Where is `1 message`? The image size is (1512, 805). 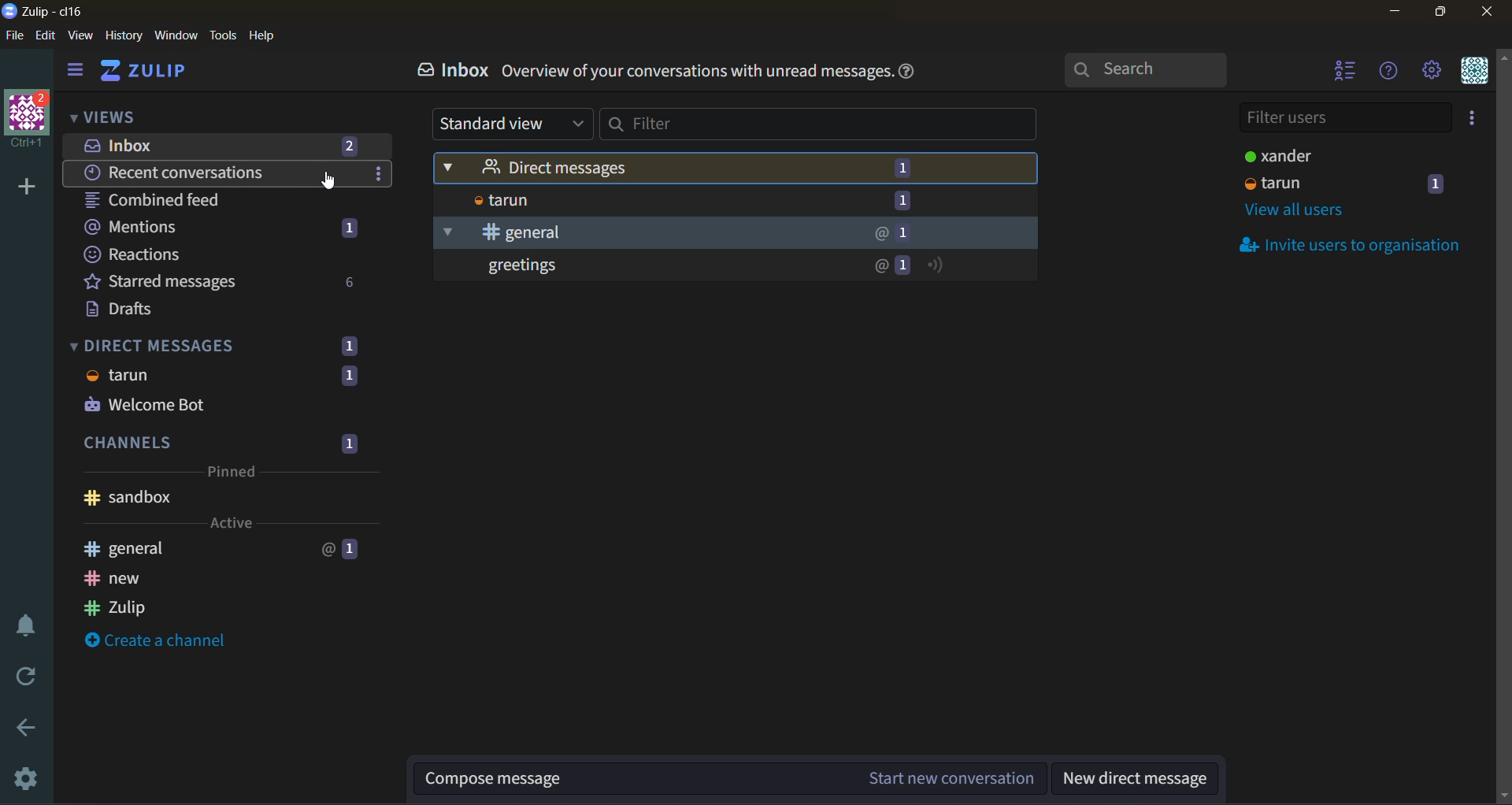
1 message is located at coordinates (902, 168).